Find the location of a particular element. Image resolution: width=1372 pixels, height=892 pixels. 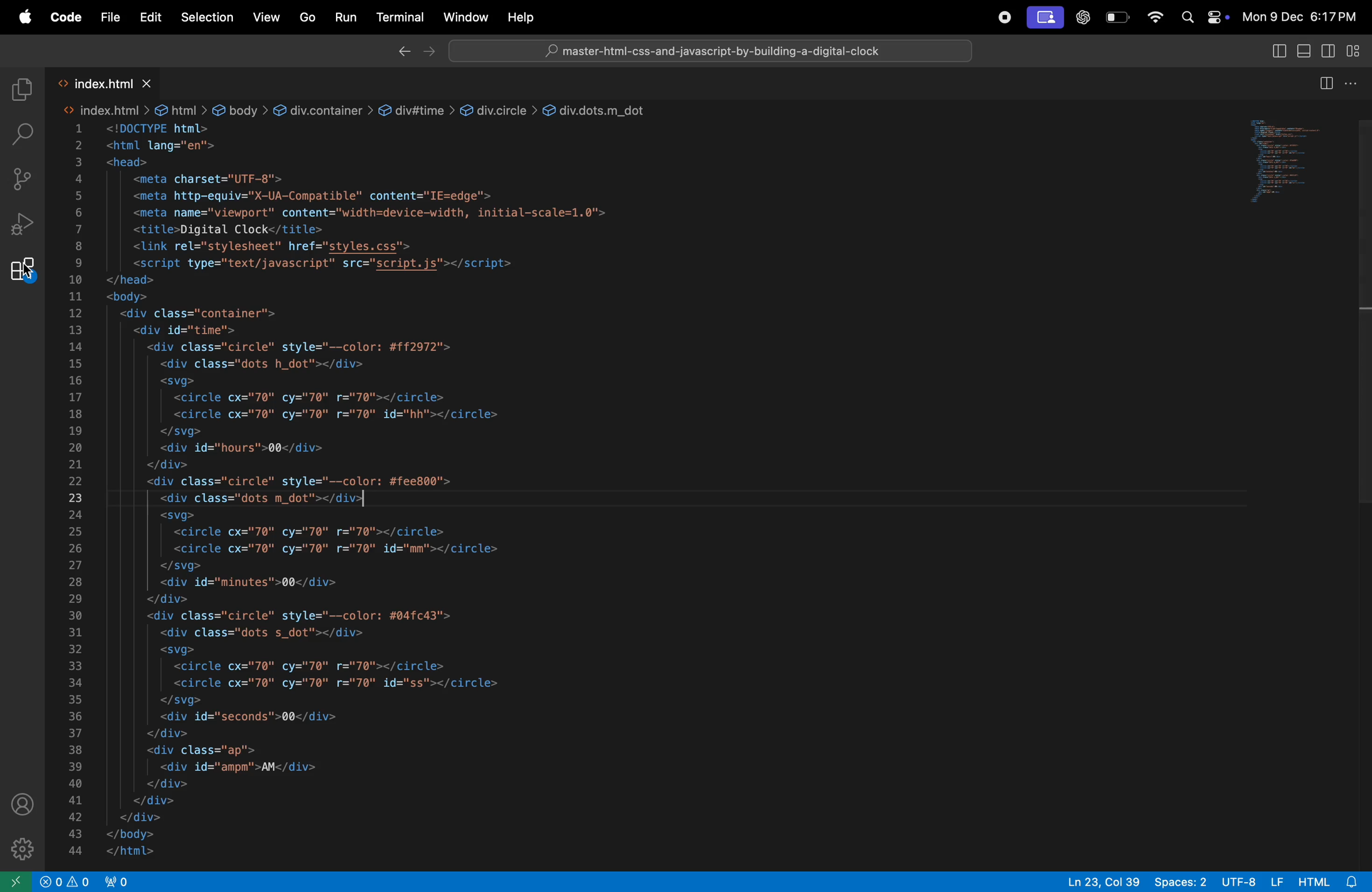

customize layout is located at coordinates (1358, 50).